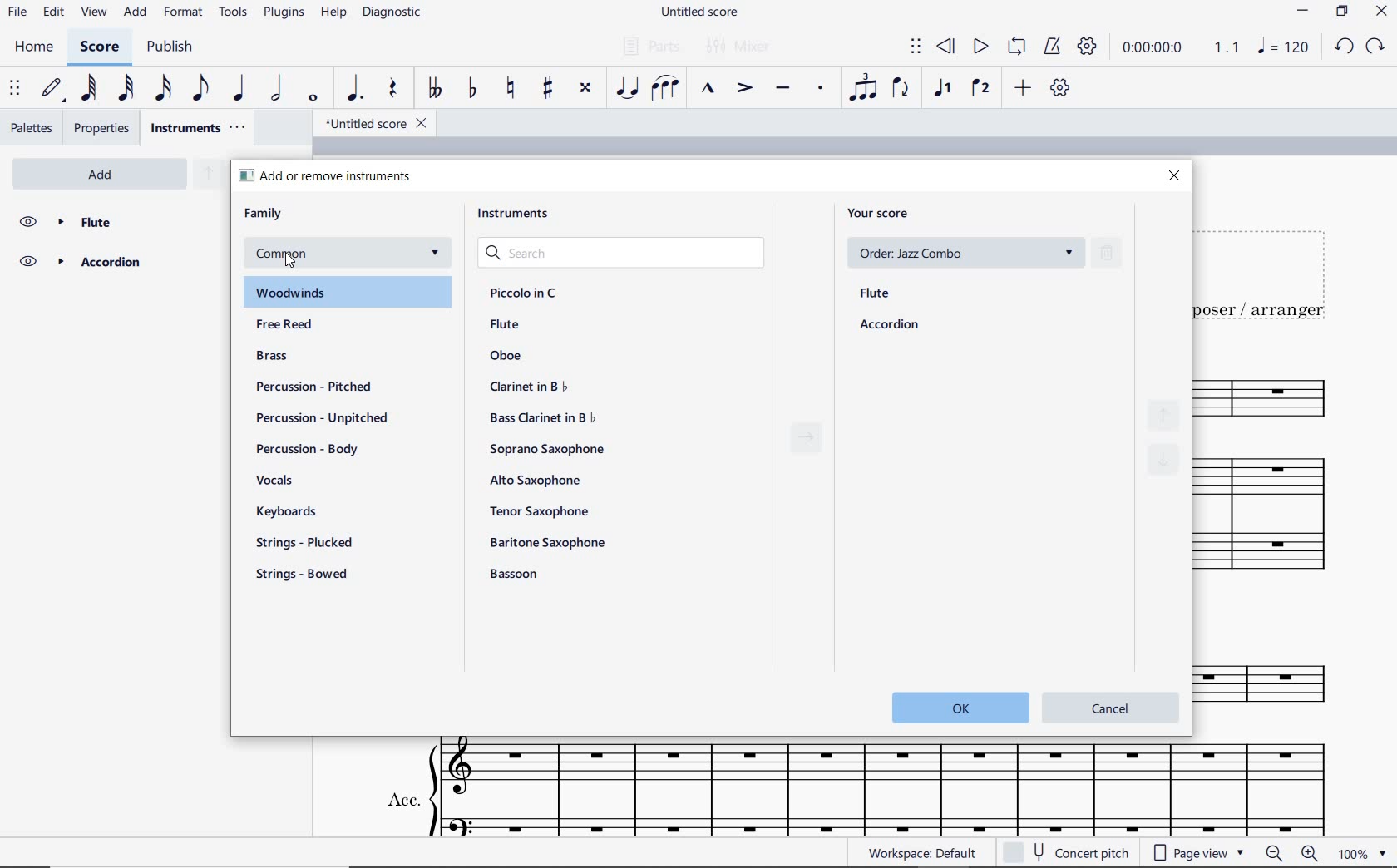  Describe the element at coordinates (196, 128) in the screenshot. I see `instruments` at that location.